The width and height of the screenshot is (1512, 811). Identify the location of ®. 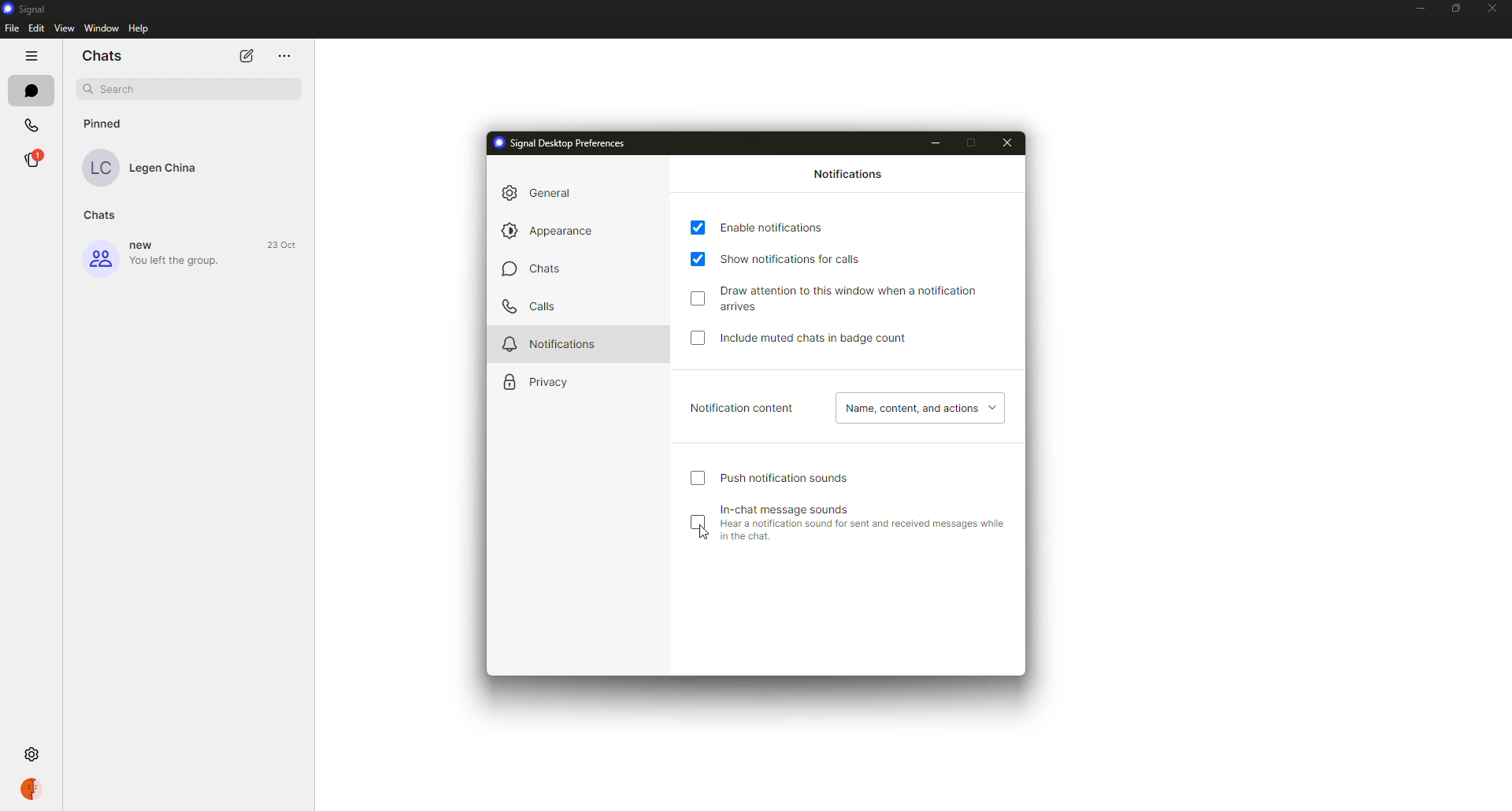
(31, 159).